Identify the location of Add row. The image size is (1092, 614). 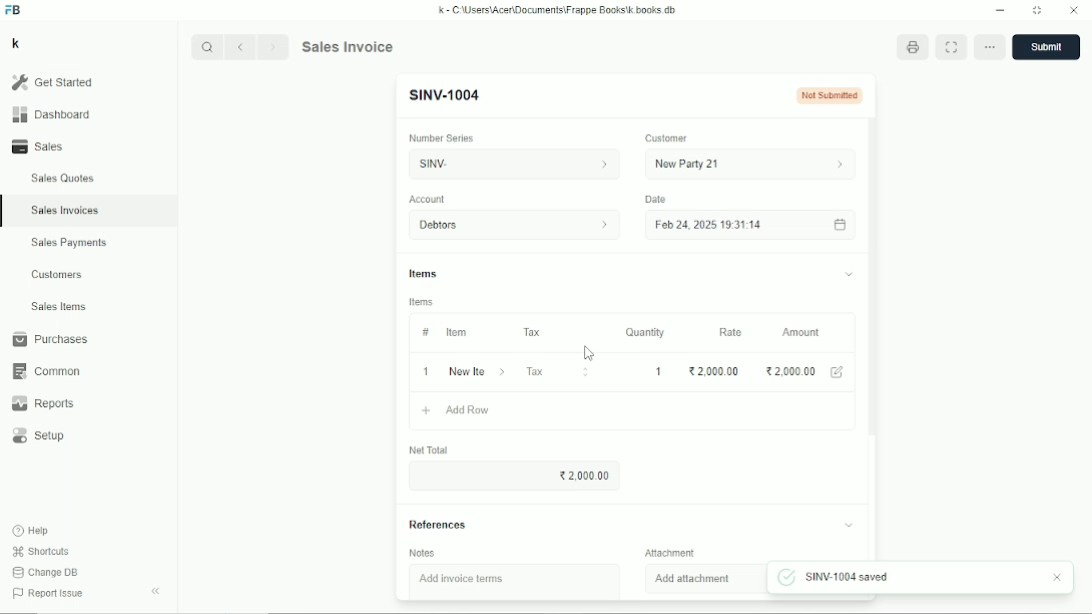
(455, 411).